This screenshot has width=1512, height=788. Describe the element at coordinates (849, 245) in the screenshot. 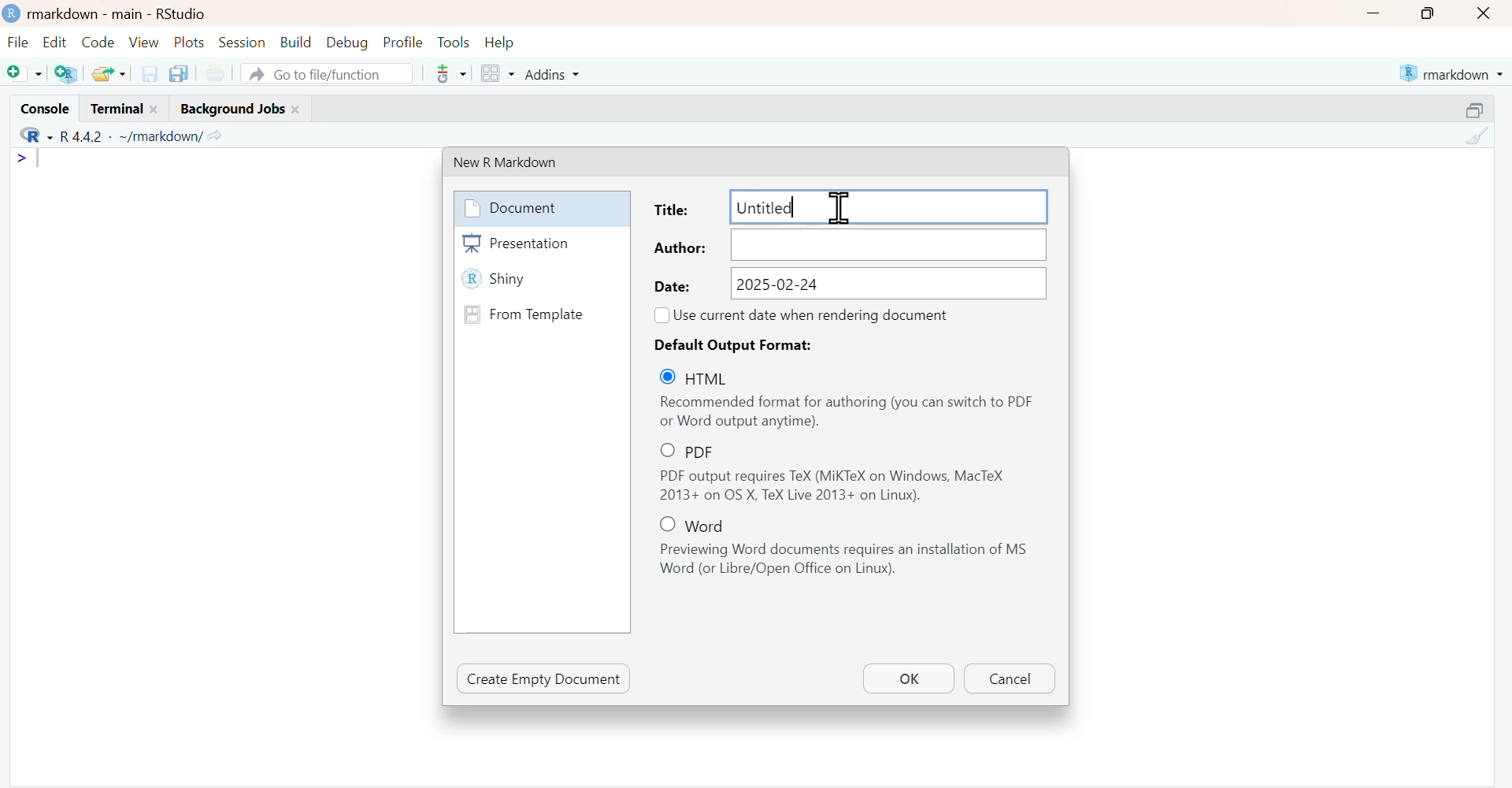

I see `Author` at that location.